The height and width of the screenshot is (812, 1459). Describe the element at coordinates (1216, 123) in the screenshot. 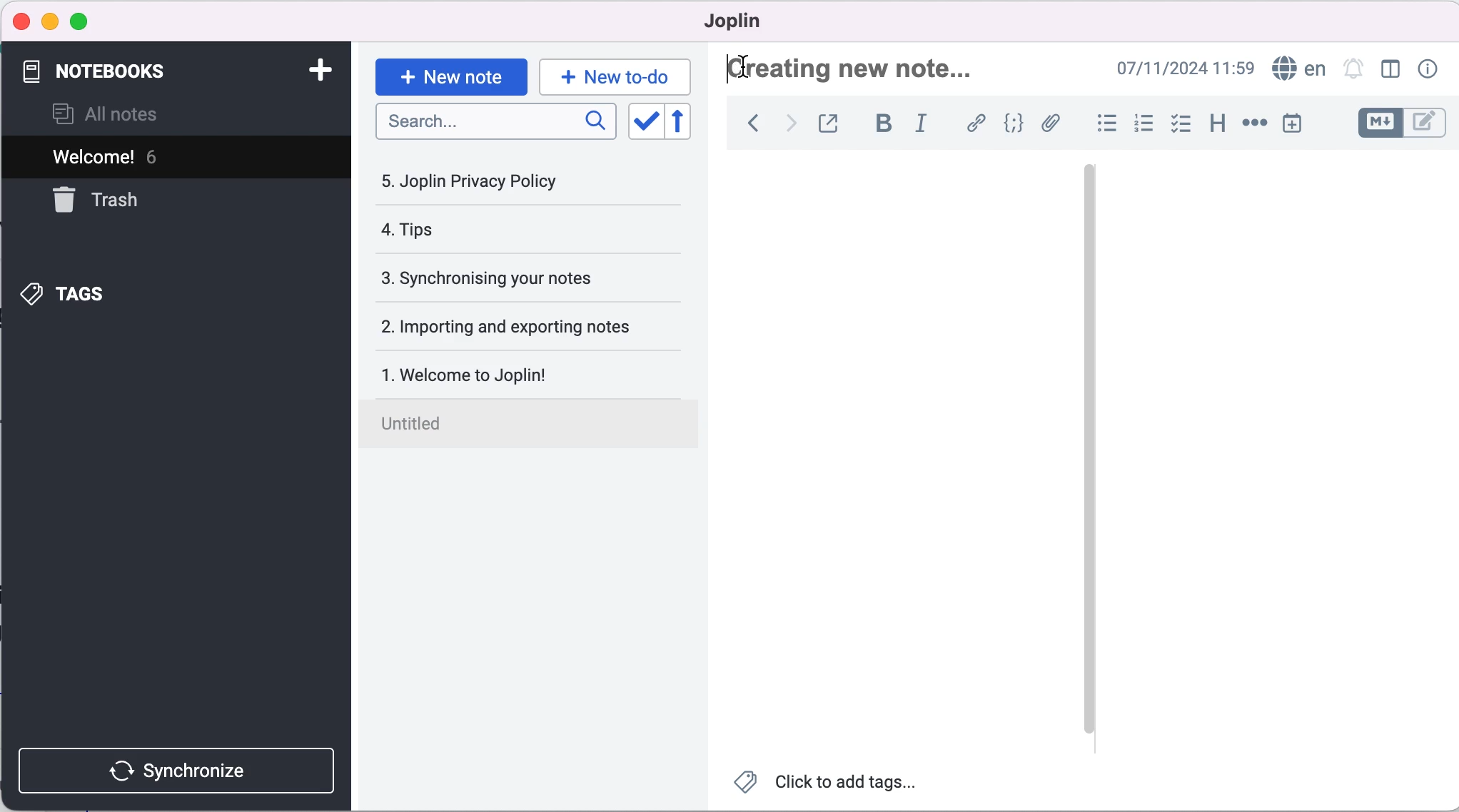

I see `heading` at that location.